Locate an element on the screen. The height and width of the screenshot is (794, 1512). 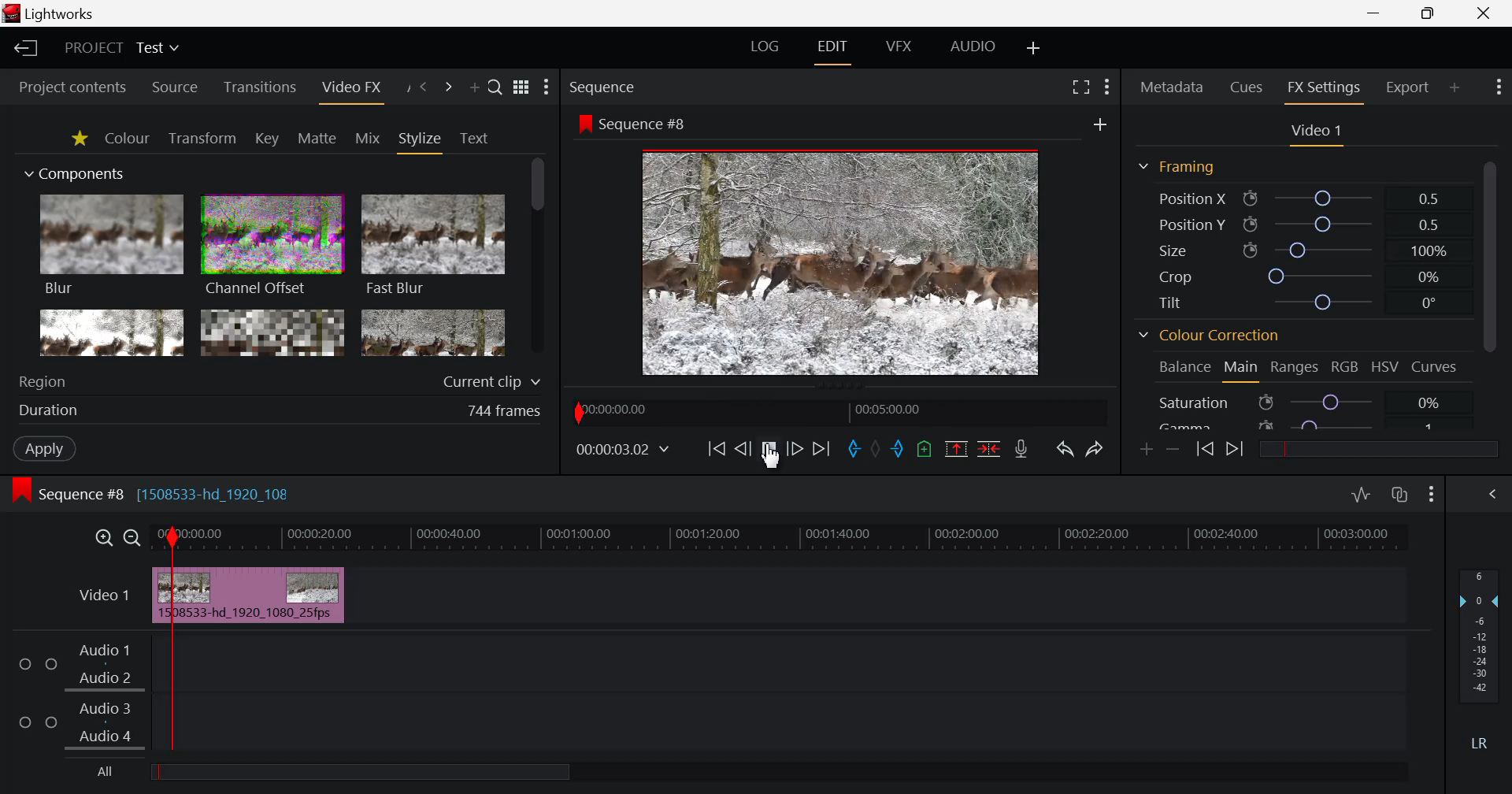
Audio Input Fields is located at coordinates (703, 695).